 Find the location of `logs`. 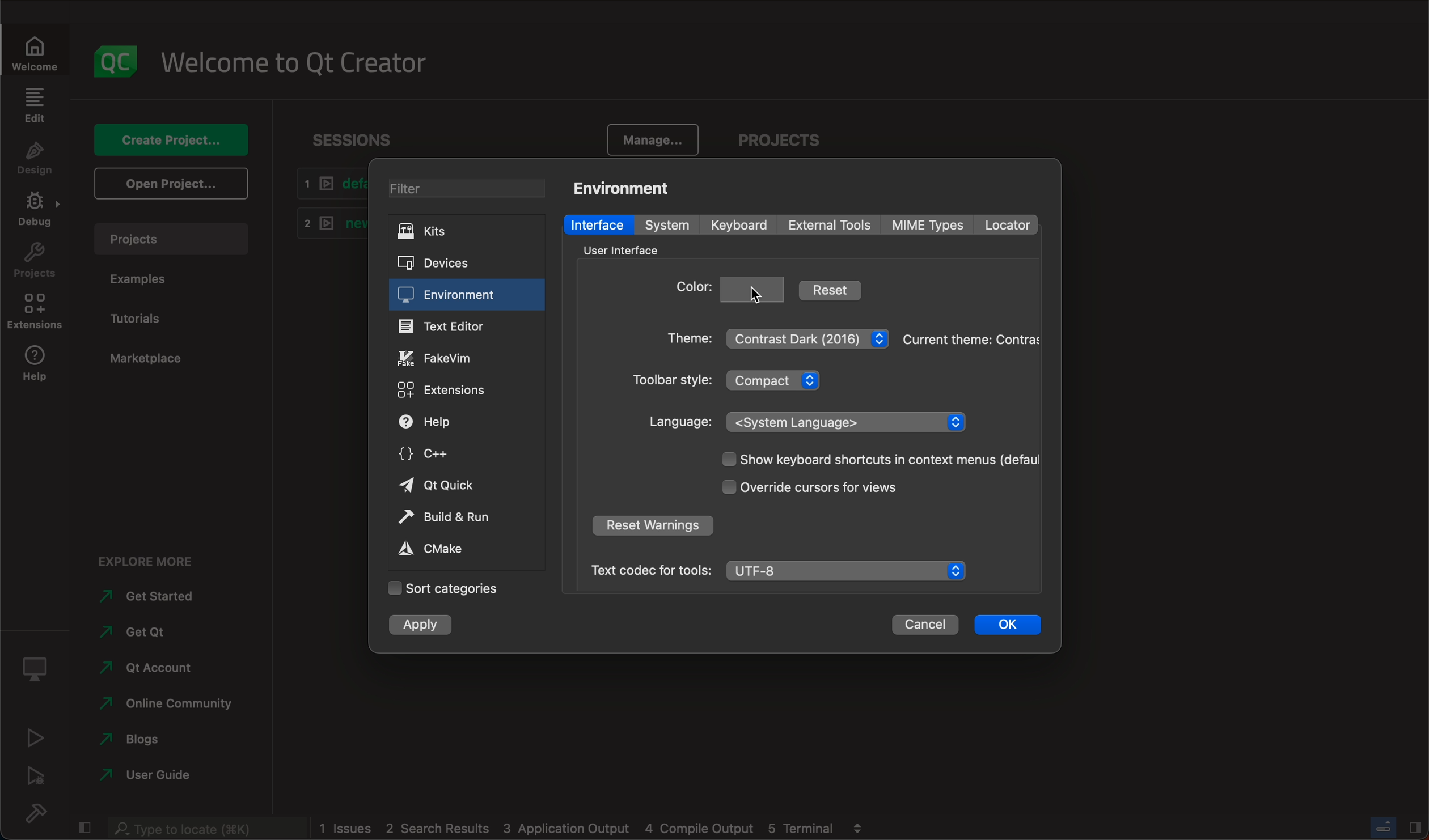

logs is located at coordinates (577, 829).